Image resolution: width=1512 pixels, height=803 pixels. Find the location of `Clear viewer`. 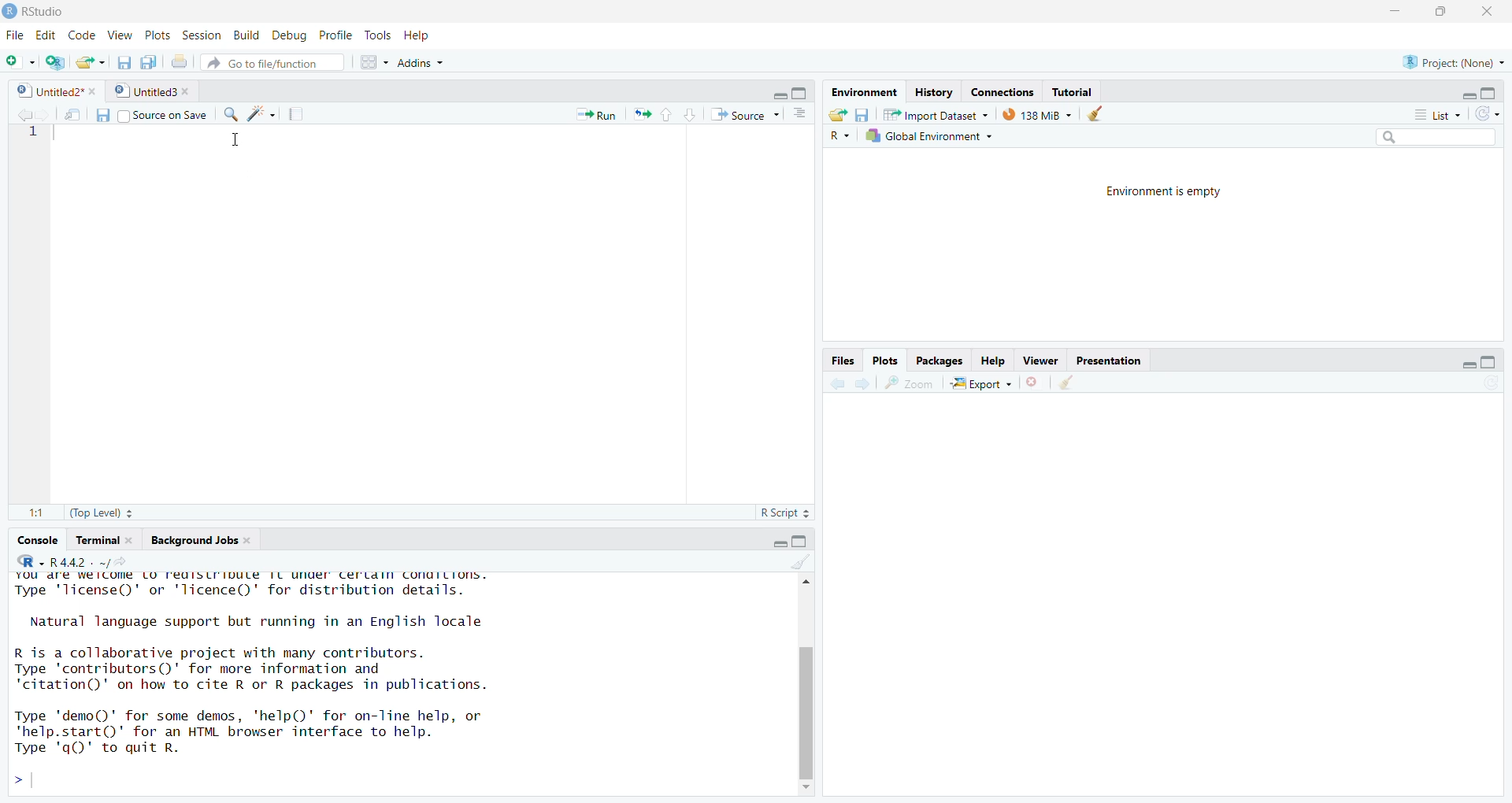

Clear viewer is located at coordinates (1076, 383).